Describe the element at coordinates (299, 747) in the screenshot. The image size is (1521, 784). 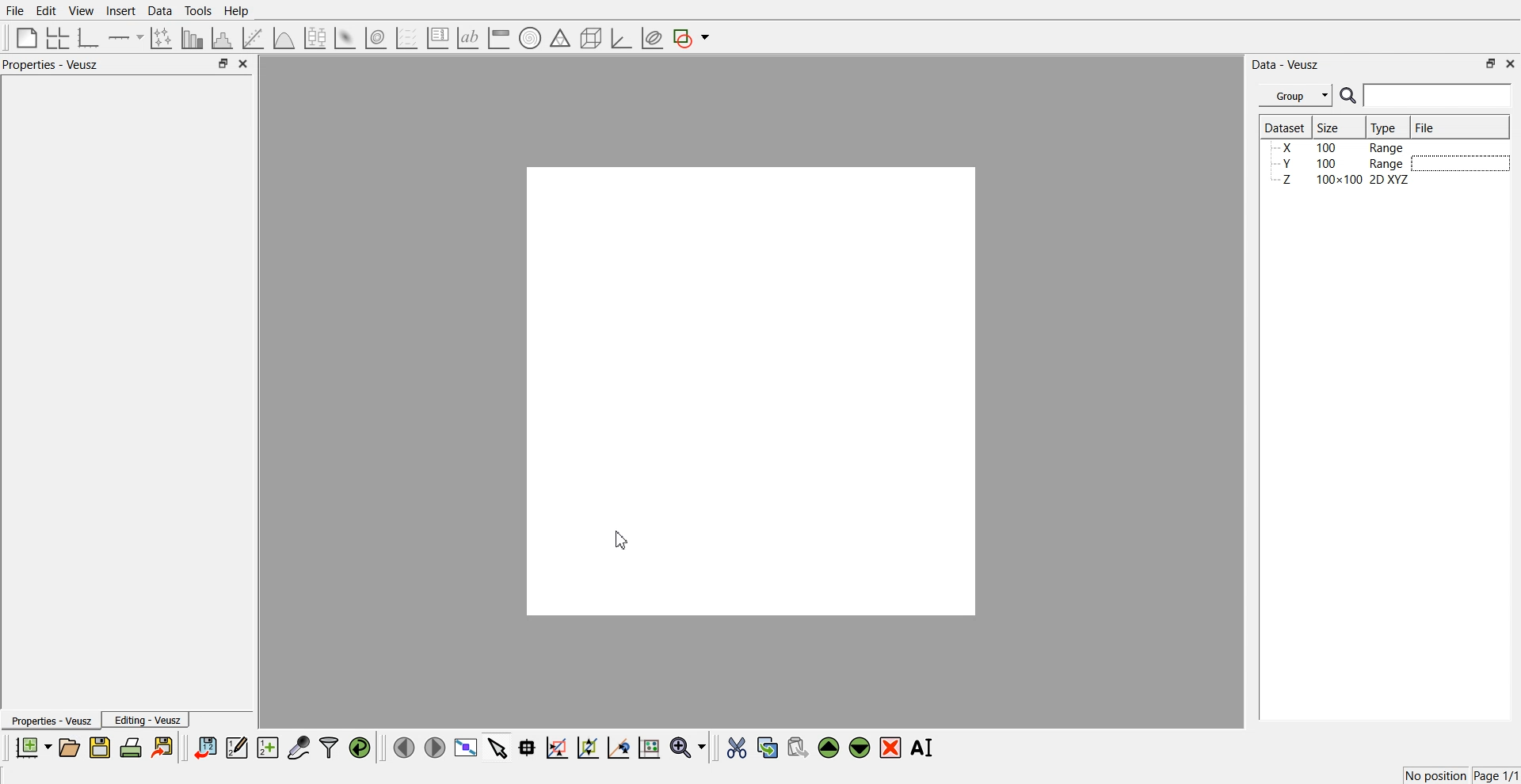
I see `Capture remote data` at that location.